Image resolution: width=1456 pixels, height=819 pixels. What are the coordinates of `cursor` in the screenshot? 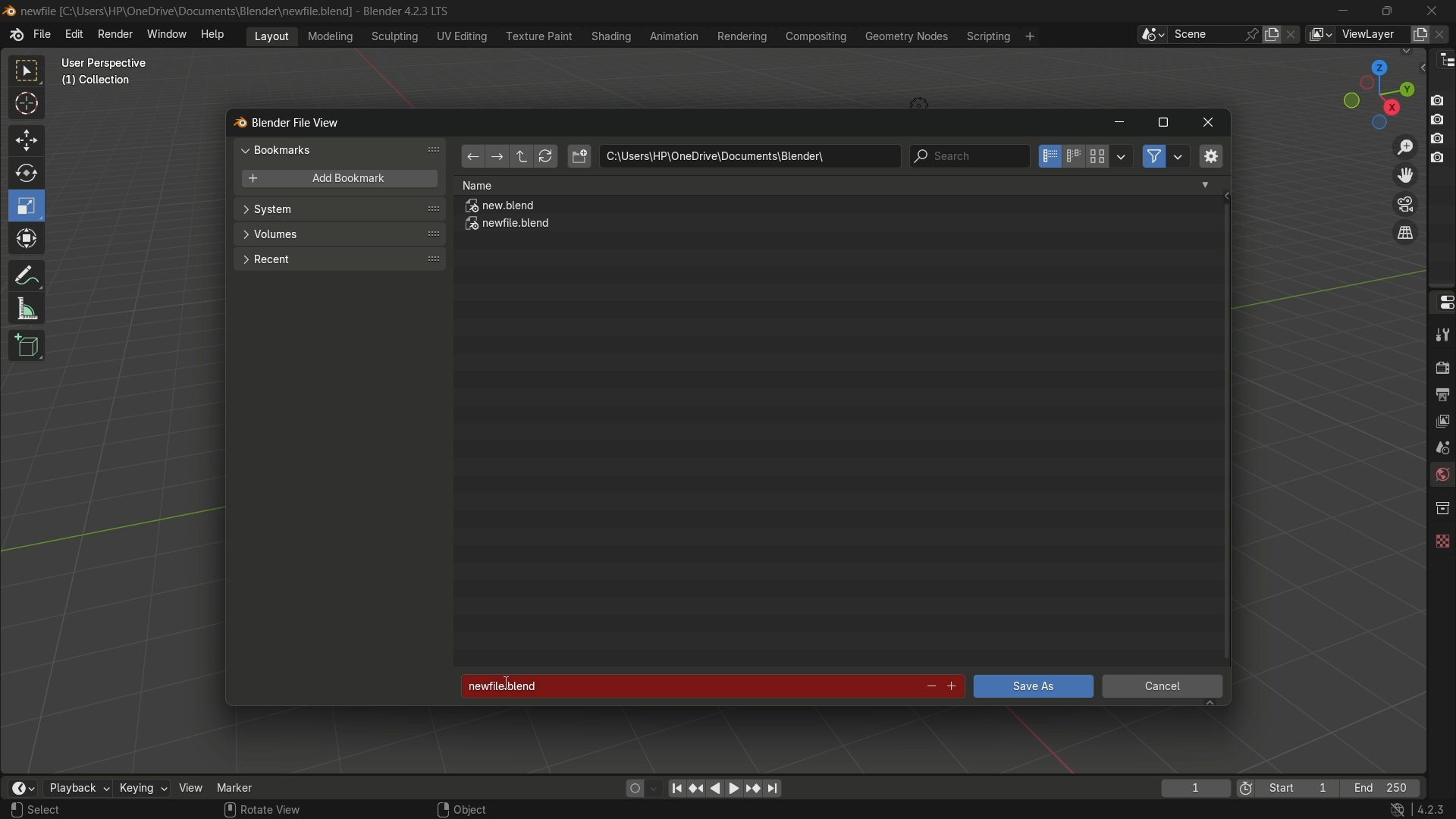 It's located at (27, 106).